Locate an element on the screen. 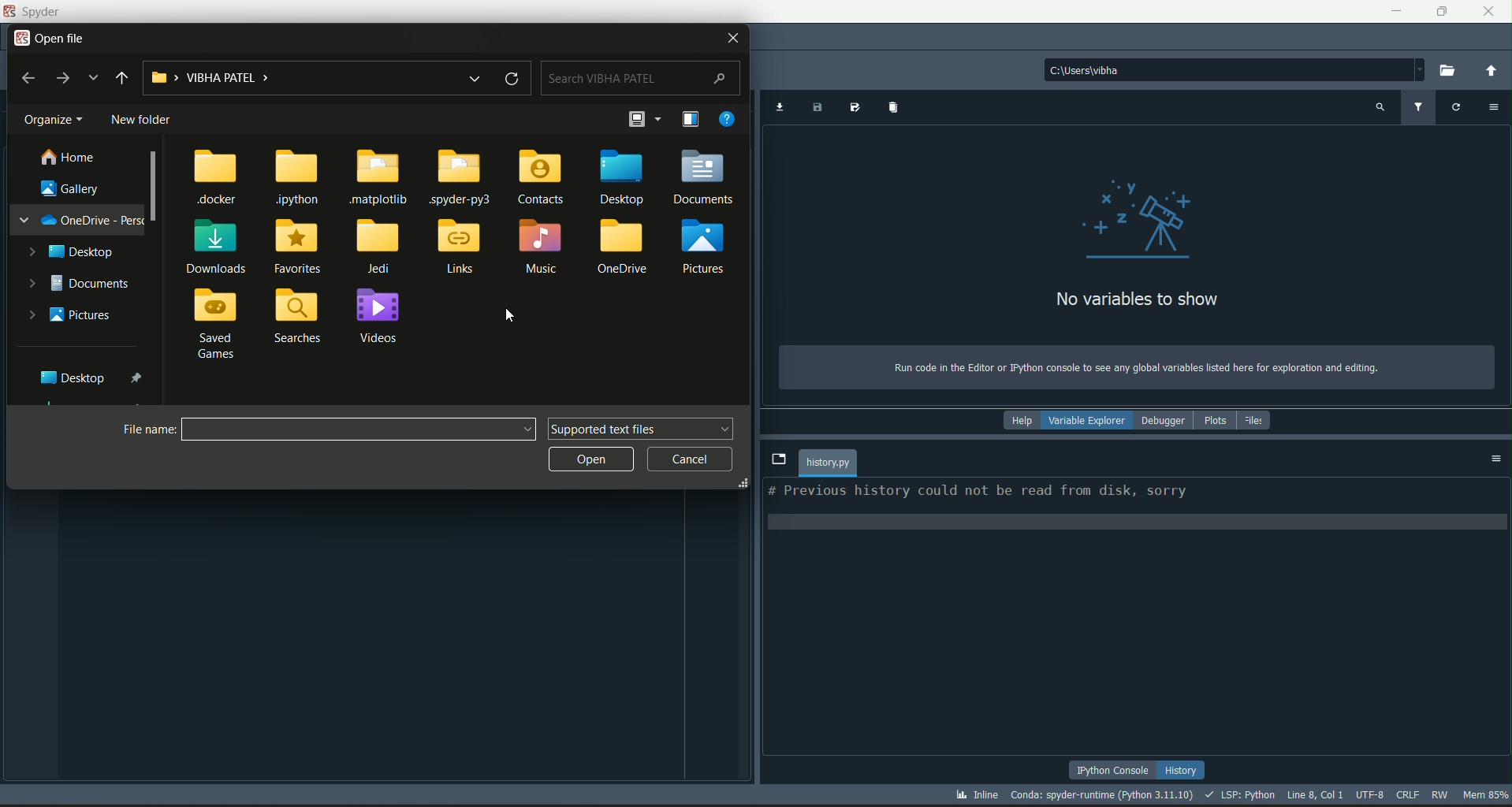  cancel is located at coordinates (691, 458).